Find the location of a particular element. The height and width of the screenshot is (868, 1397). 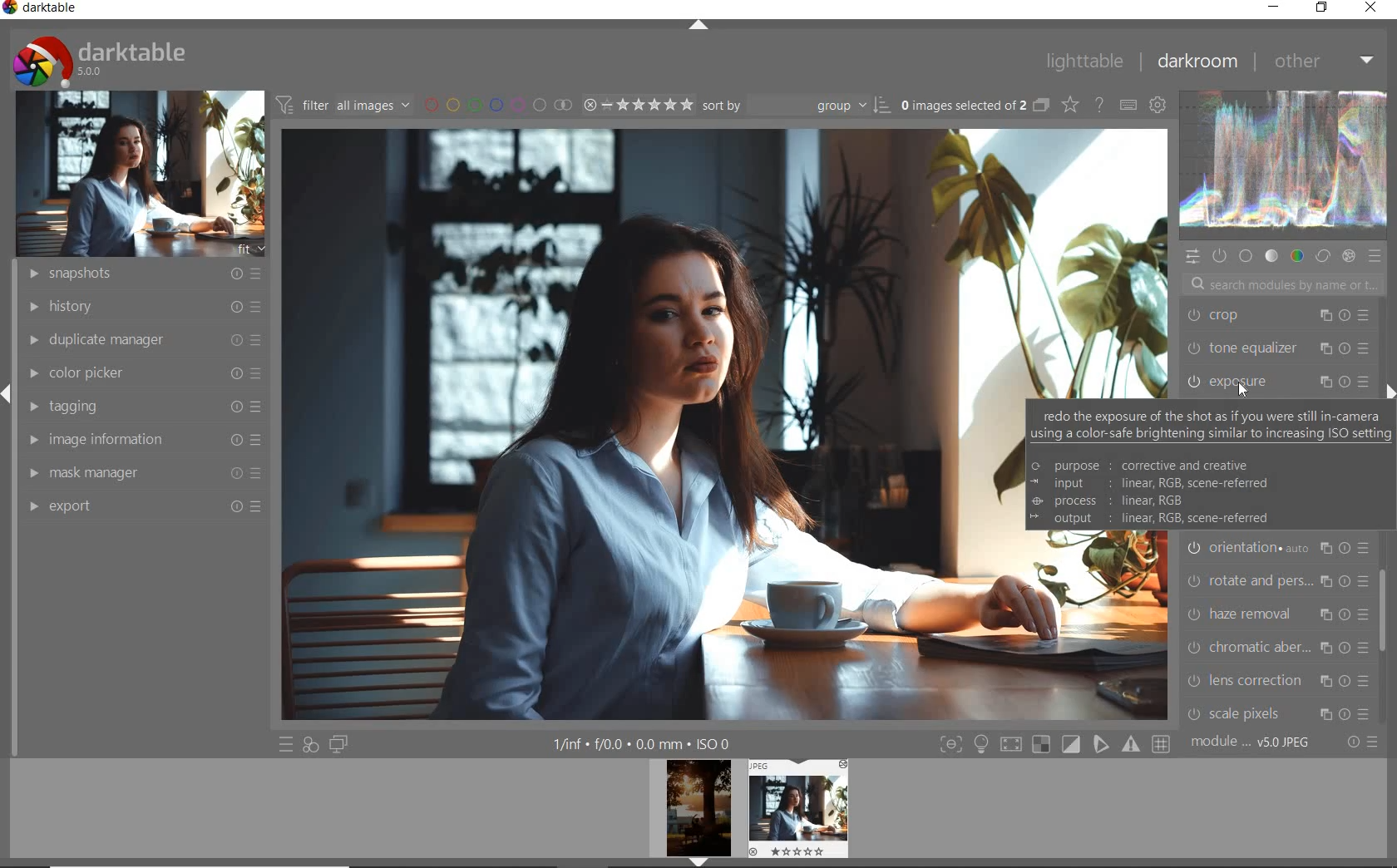

ORIENTATION is located at coordinates (1281, 547).